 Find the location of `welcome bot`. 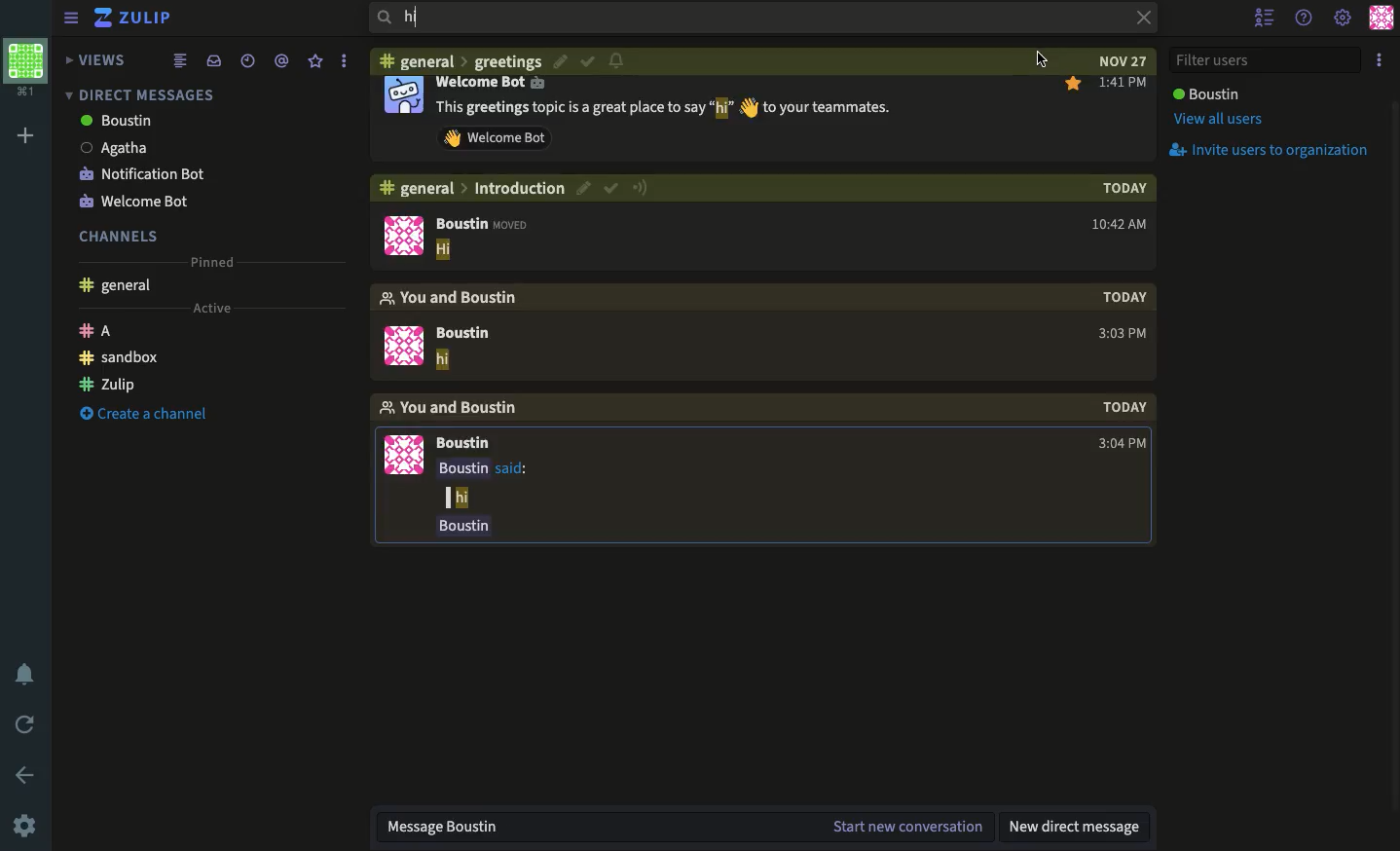

welcome bot is located at coordinates (492, 83).